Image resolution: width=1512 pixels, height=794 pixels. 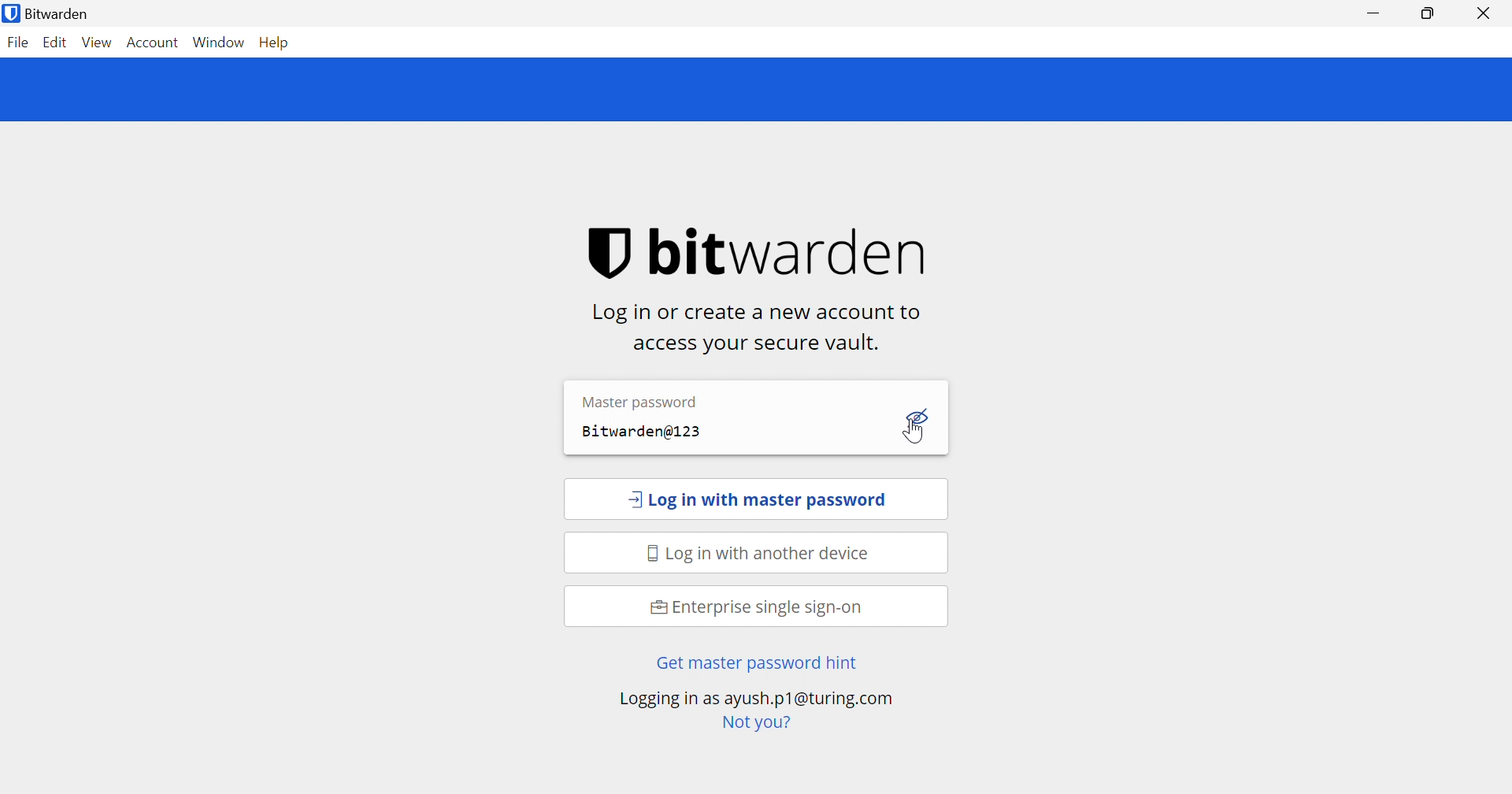 What do you see at coordinates (50, 14) in the screenshot?
I see `Bitwarden` at bounding box center [50, 14].